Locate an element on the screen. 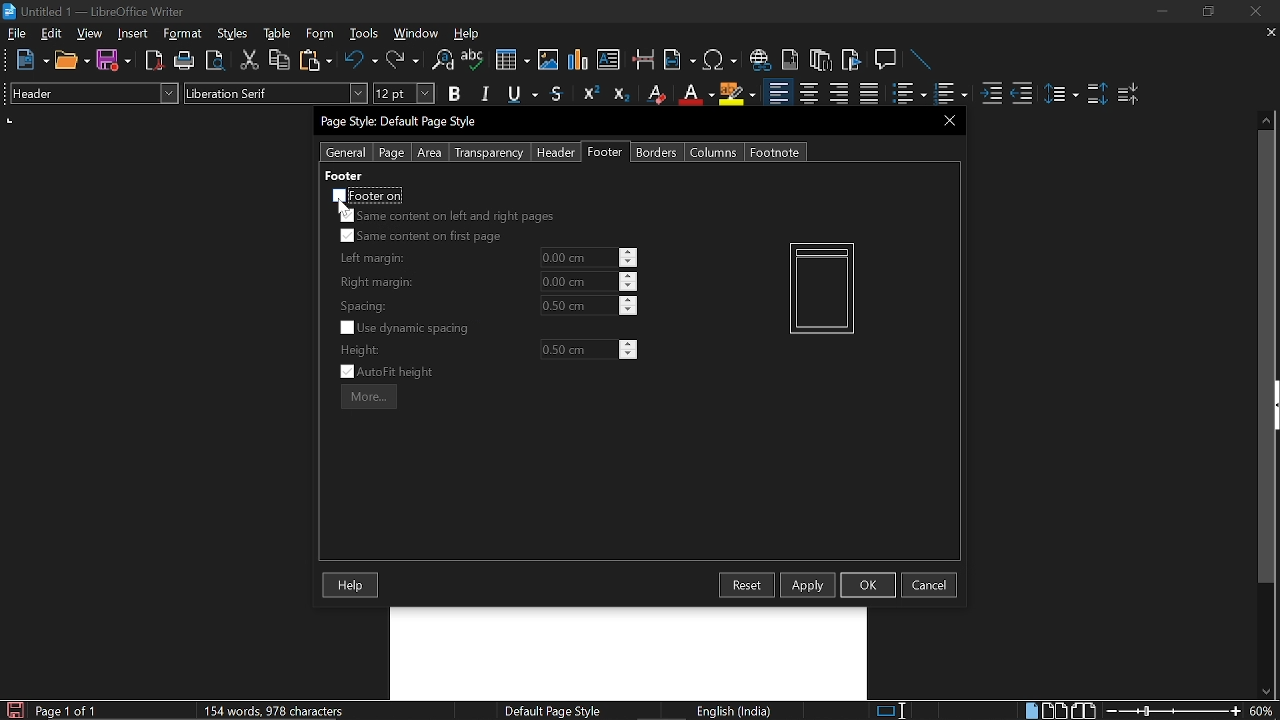 This screenshot has height=720, width=1280. line margin Line margin is located at coordinates (577, 258).